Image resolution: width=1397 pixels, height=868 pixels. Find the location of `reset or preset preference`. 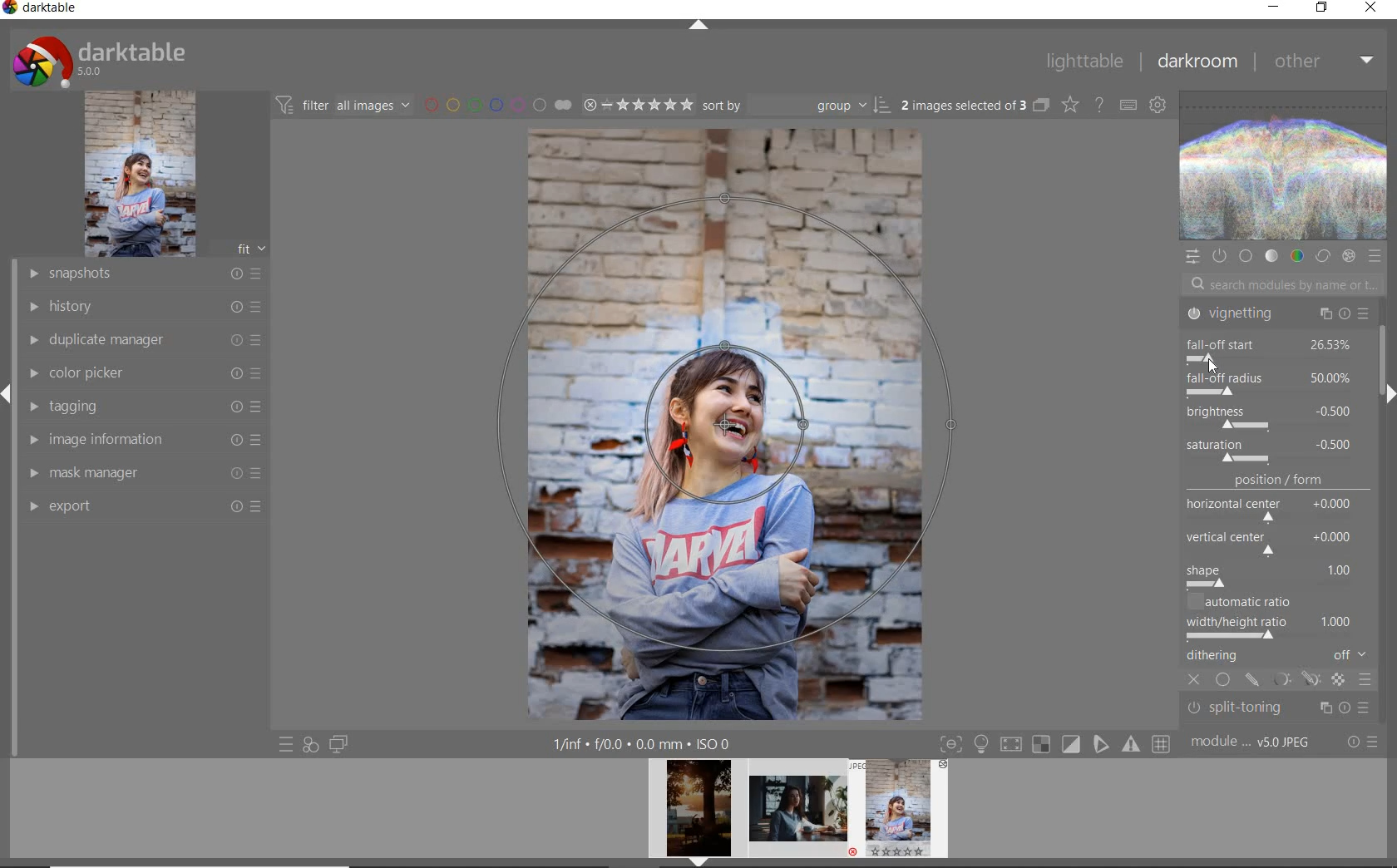

reset or preset preference is located at coordinates (1361, 743).